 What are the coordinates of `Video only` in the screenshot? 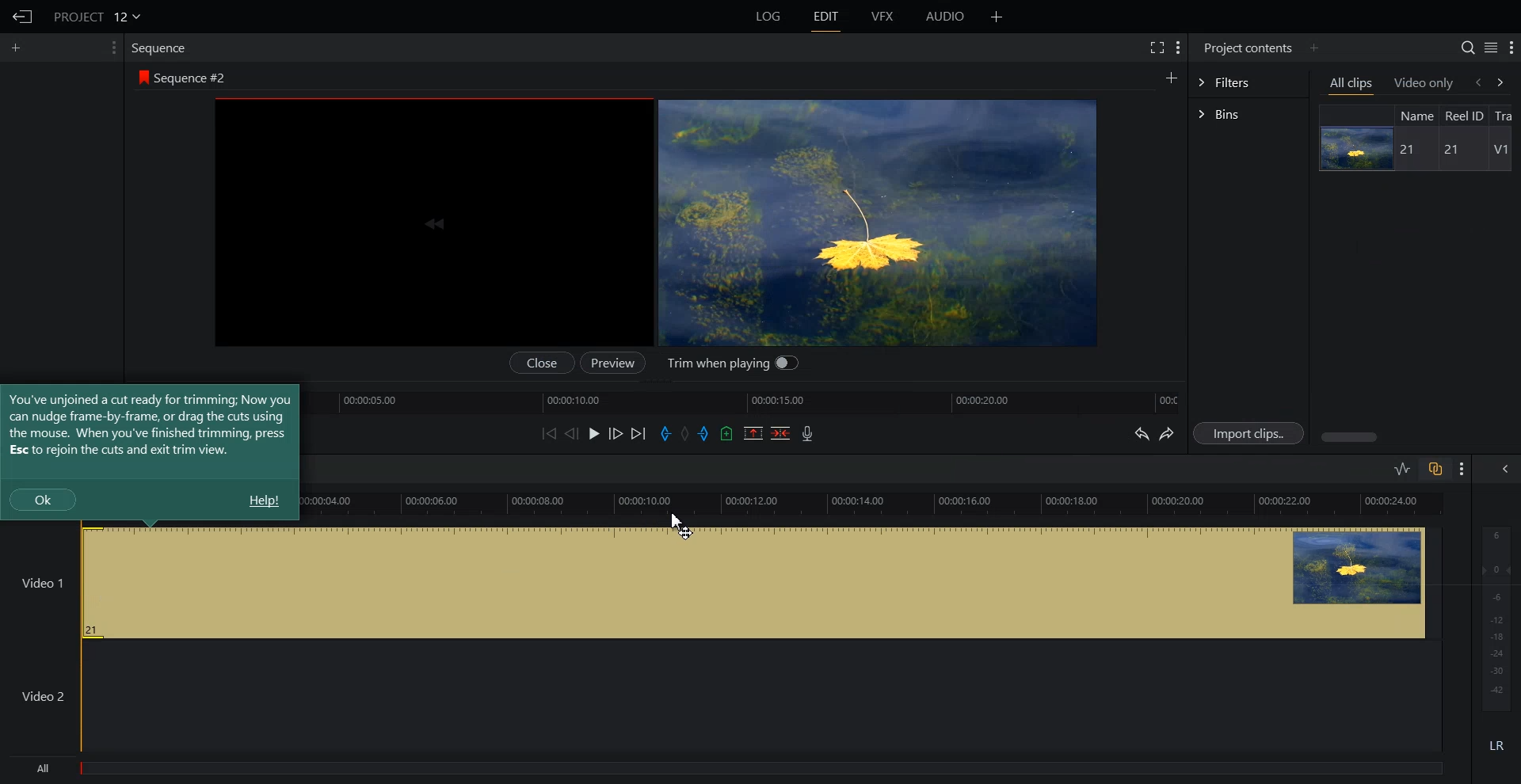 It's located at (1424, 83).